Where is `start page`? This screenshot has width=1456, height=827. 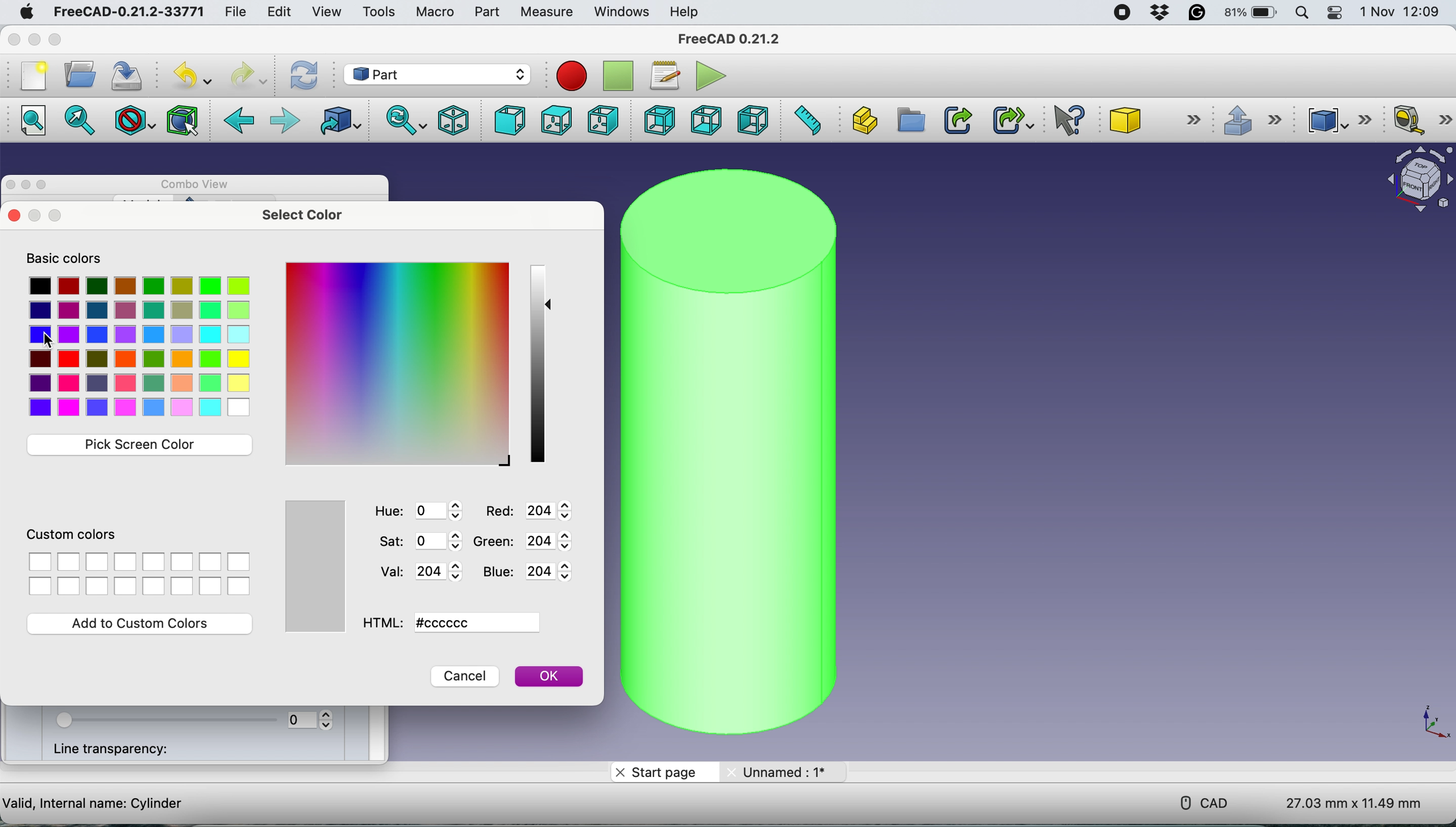
start page is located at coordinates (661, 773).